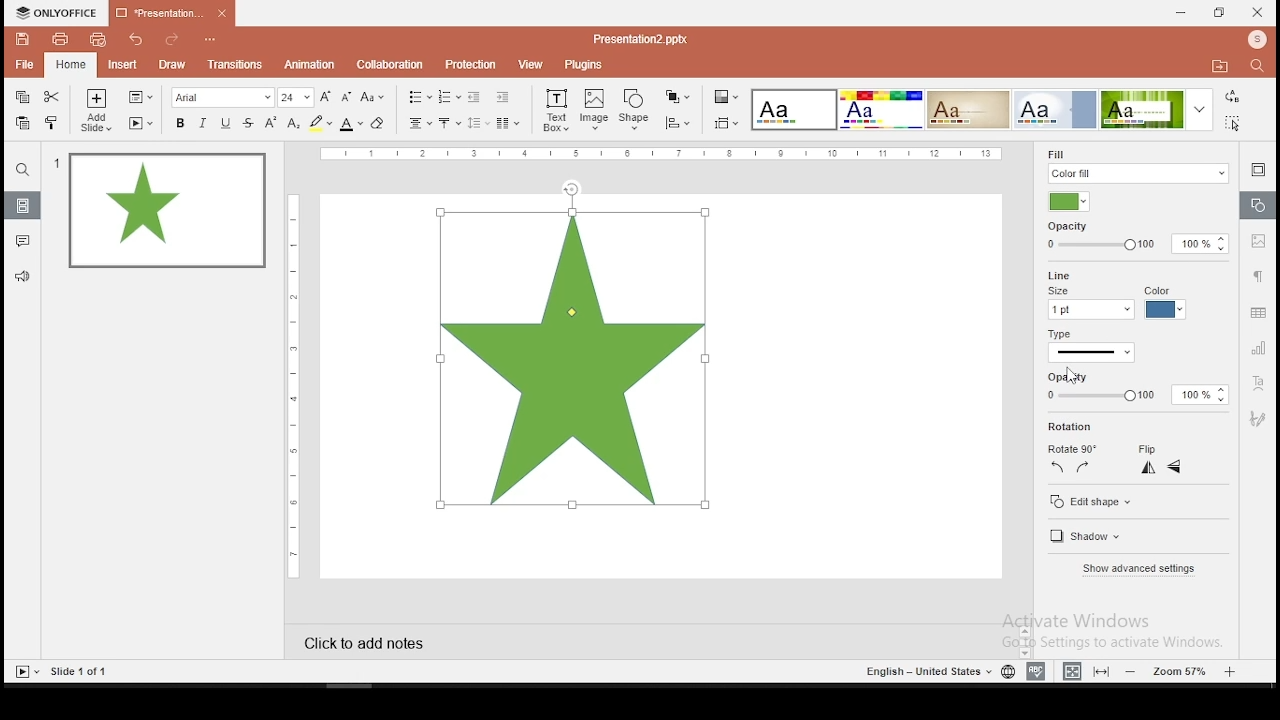 The height and width of the screenshot is (720, 1280). Describe the element at coordinates (528, 65) in the screenshot. I see `view` at that location.